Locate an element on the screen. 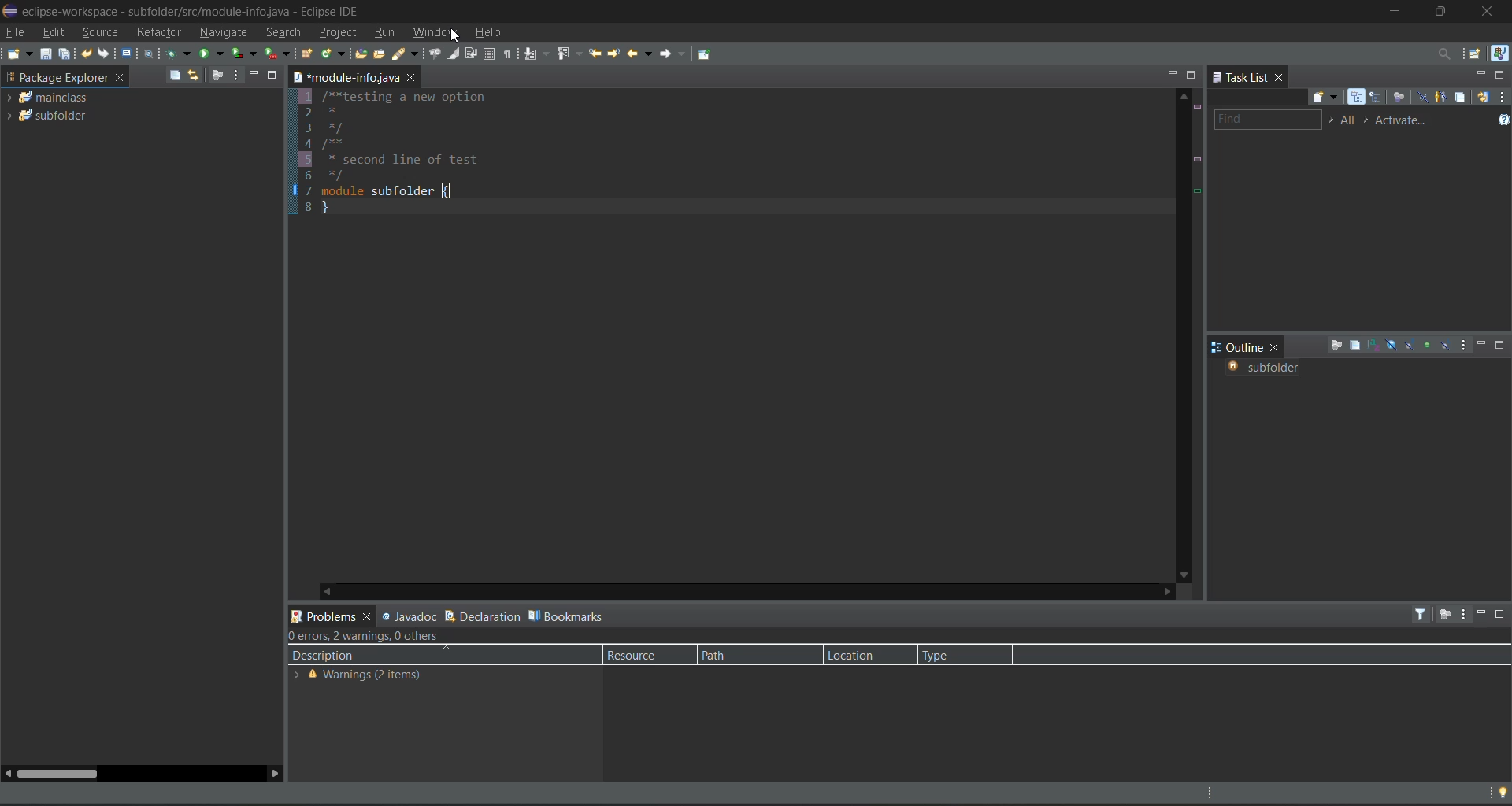 The height and width of the screenshot is (806, 1512). edit task working sets is located at coordinates (1349, 121).